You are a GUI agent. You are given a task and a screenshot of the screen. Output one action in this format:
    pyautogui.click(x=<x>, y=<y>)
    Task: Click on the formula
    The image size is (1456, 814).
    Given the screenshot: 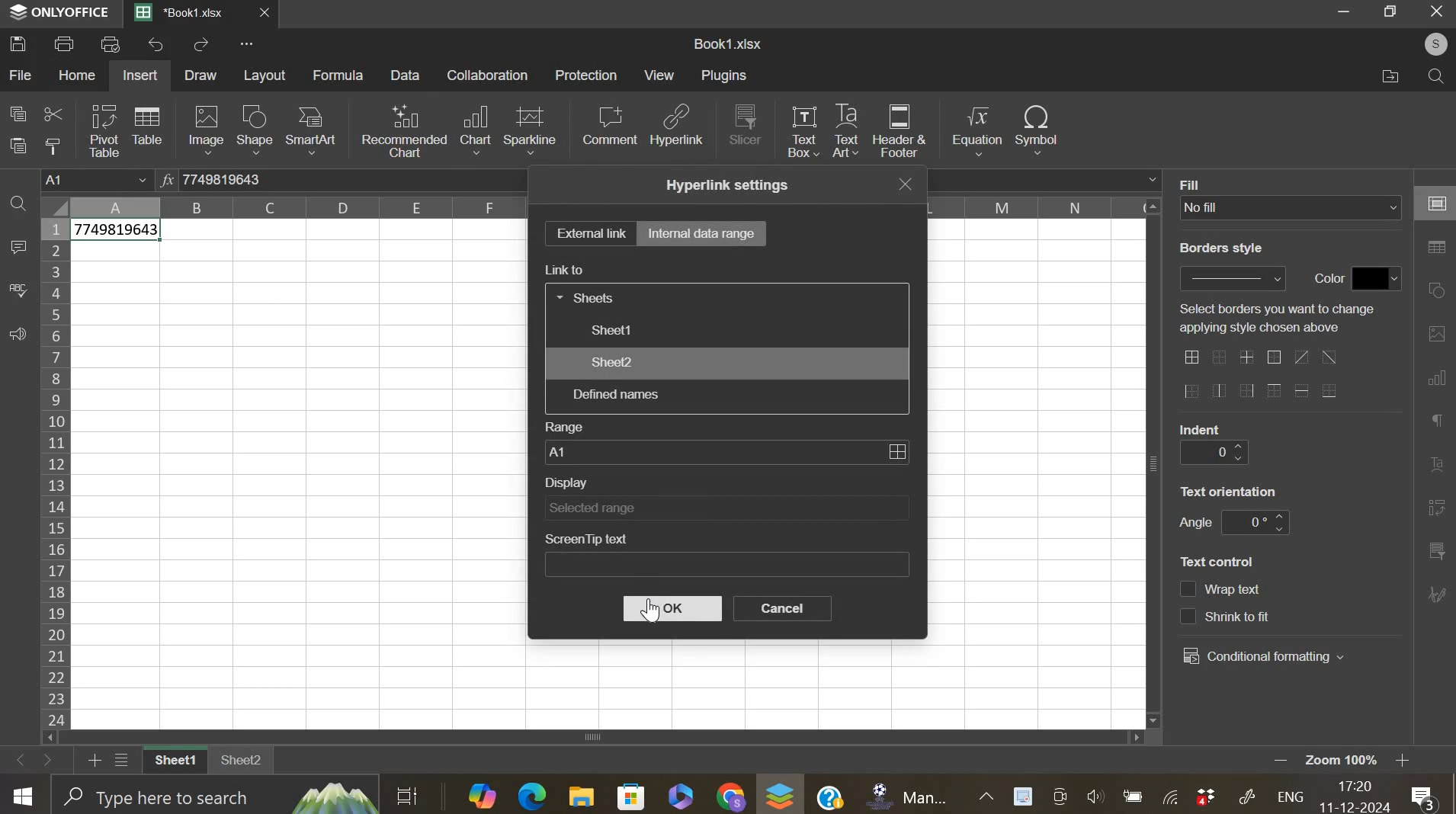 What is the action you would take?
    pyautogui.click(x=339, y=75)
    